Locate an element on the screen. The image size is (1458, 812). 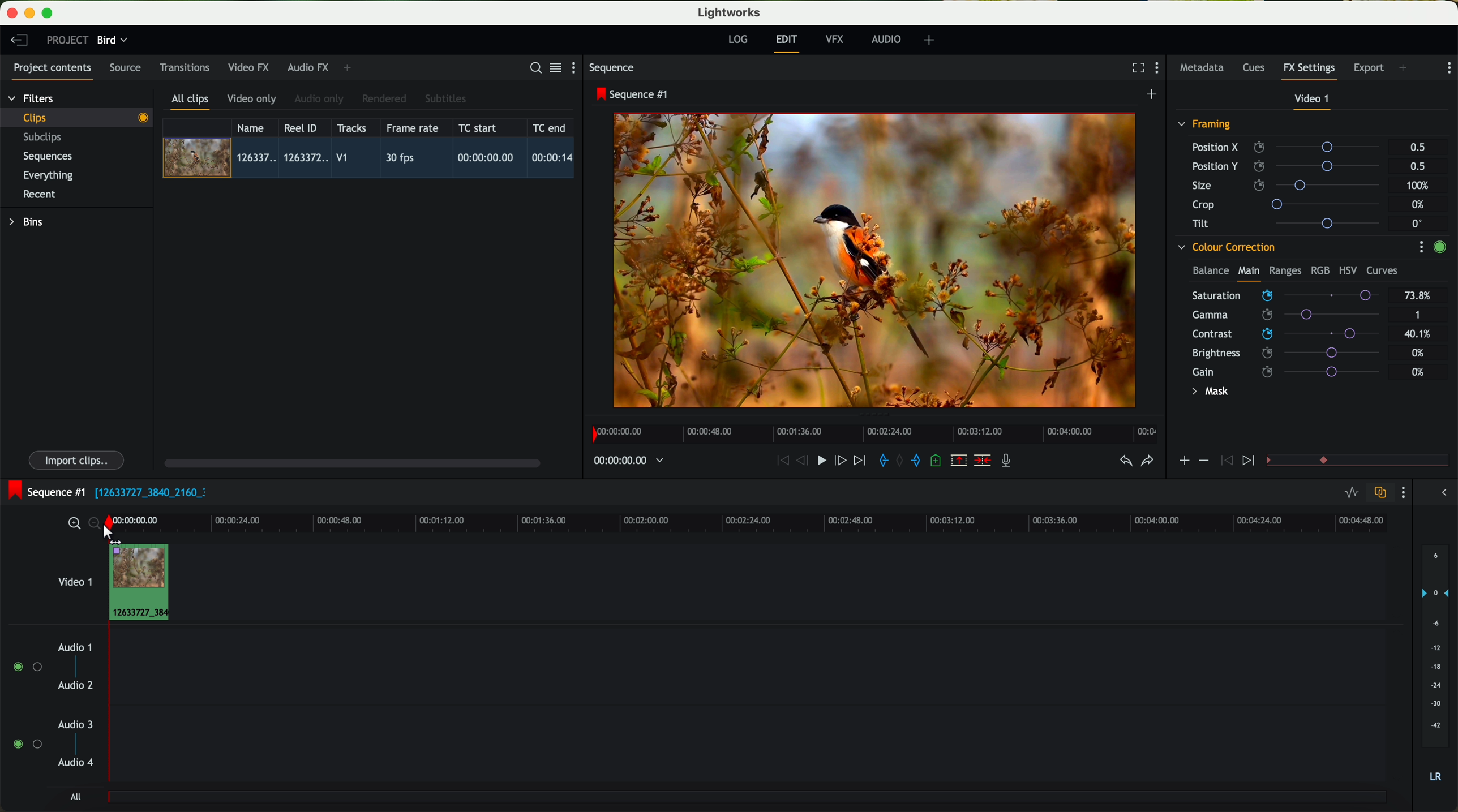
add, remove and create layouts is located at coordinates (931, 40).